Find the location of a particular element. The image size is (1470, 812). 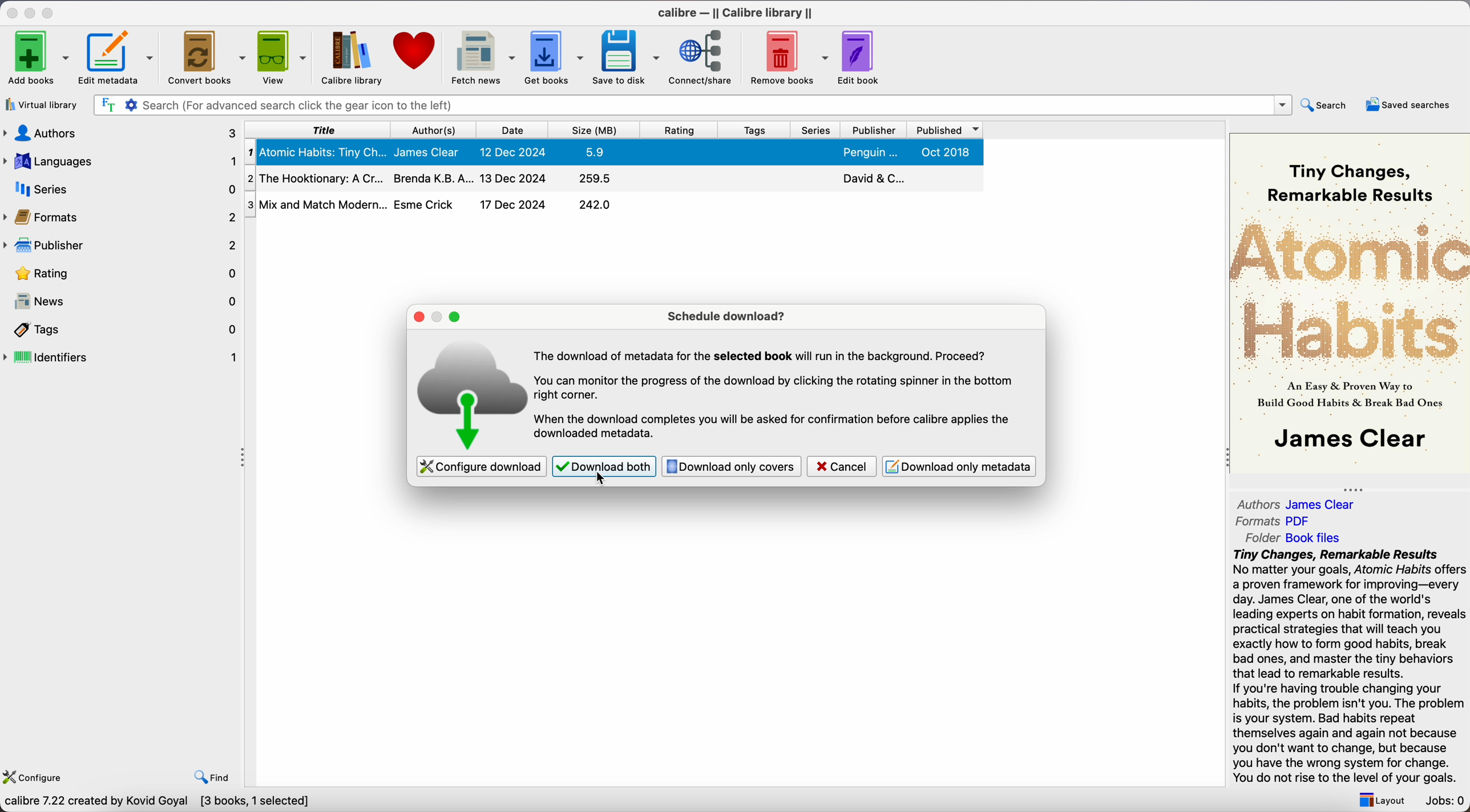

13 Dec 2024 is located at coordinates (514, 177).